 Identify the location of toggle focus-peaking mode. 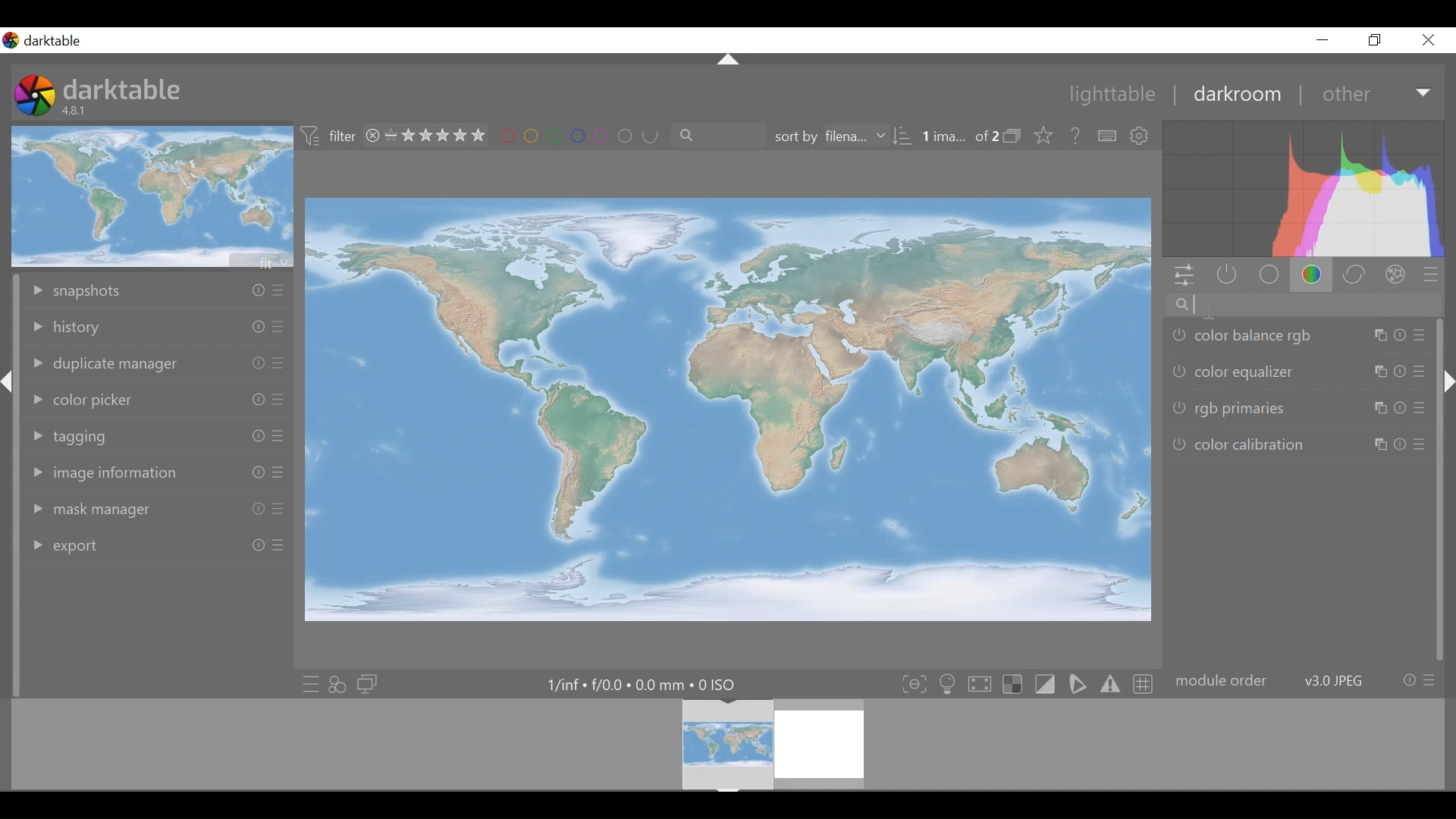
(912, 684).